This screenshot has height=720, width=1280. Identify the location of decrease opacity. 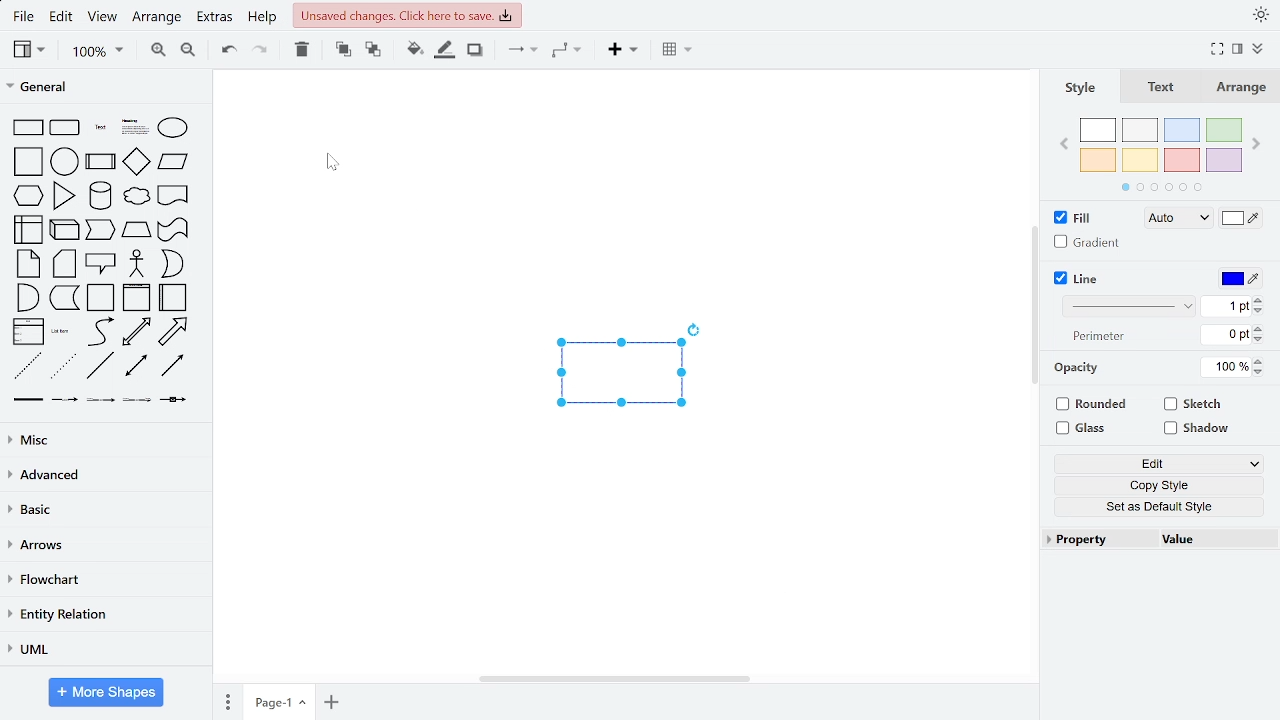
(1261, 373).